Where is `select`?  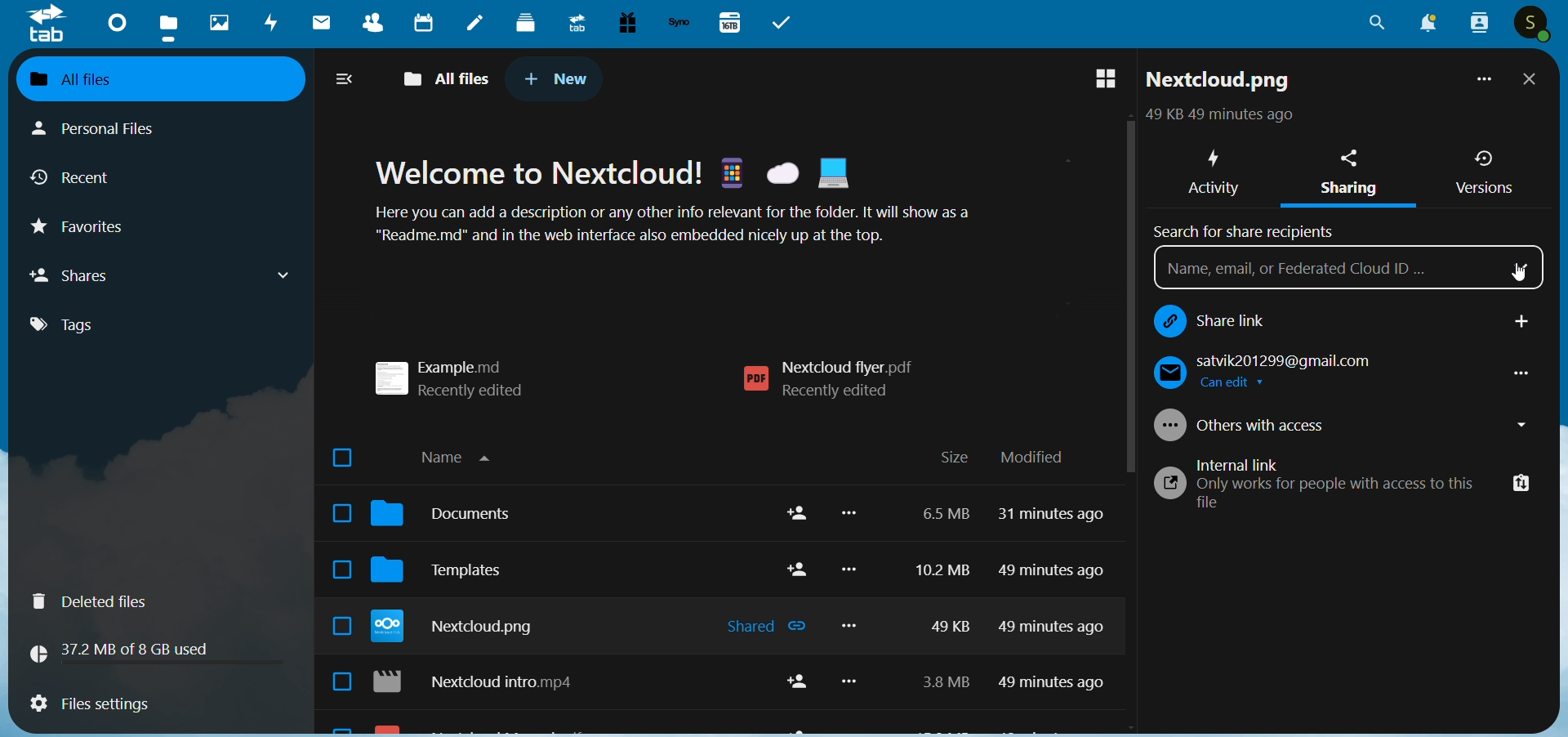 select is located at coordinates (335, 572).